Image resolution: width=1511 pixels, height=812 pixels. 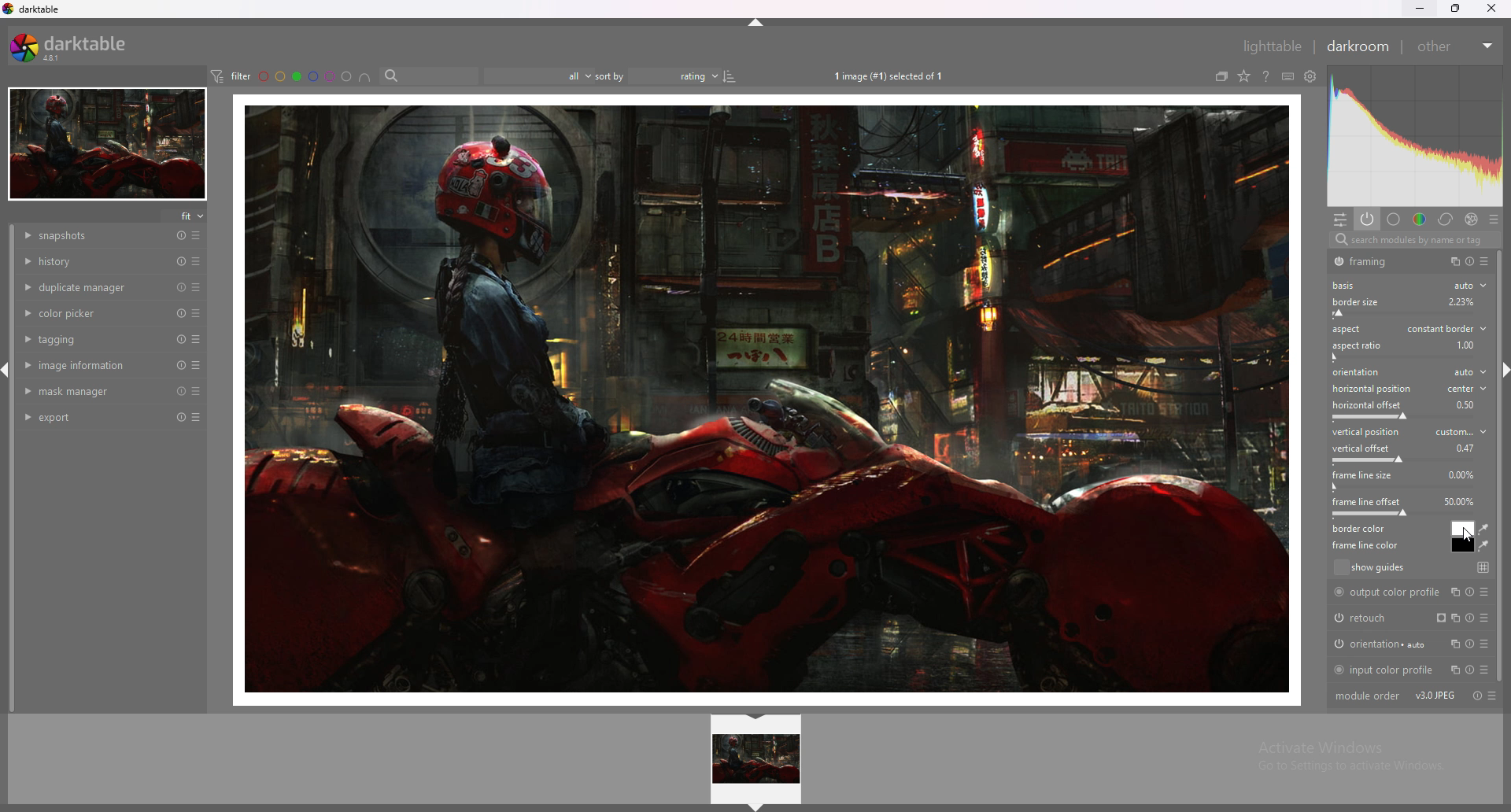 What do you see at coordinates (186, 216) in the screenshot?
I see `fit` at bounding box center [186, 216].